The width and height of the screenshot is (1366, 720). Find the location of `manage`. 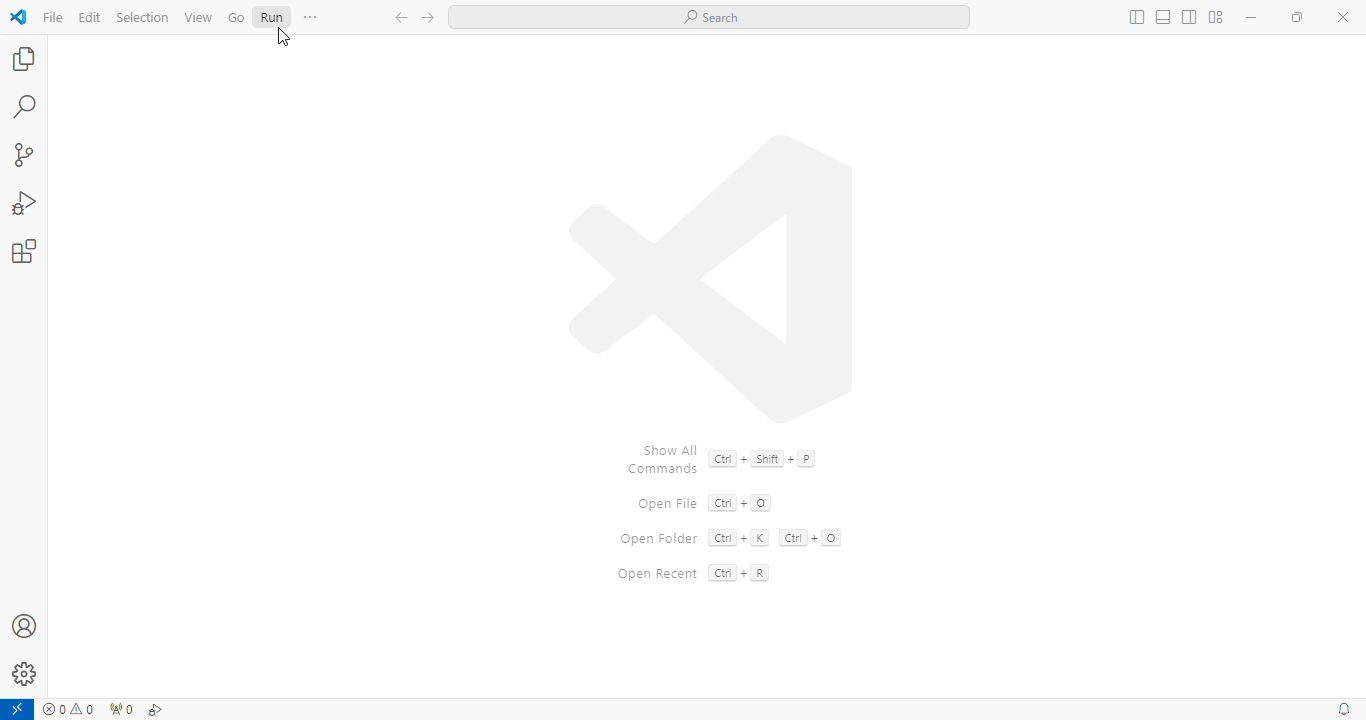

manage is located at coordinates (26, 674).